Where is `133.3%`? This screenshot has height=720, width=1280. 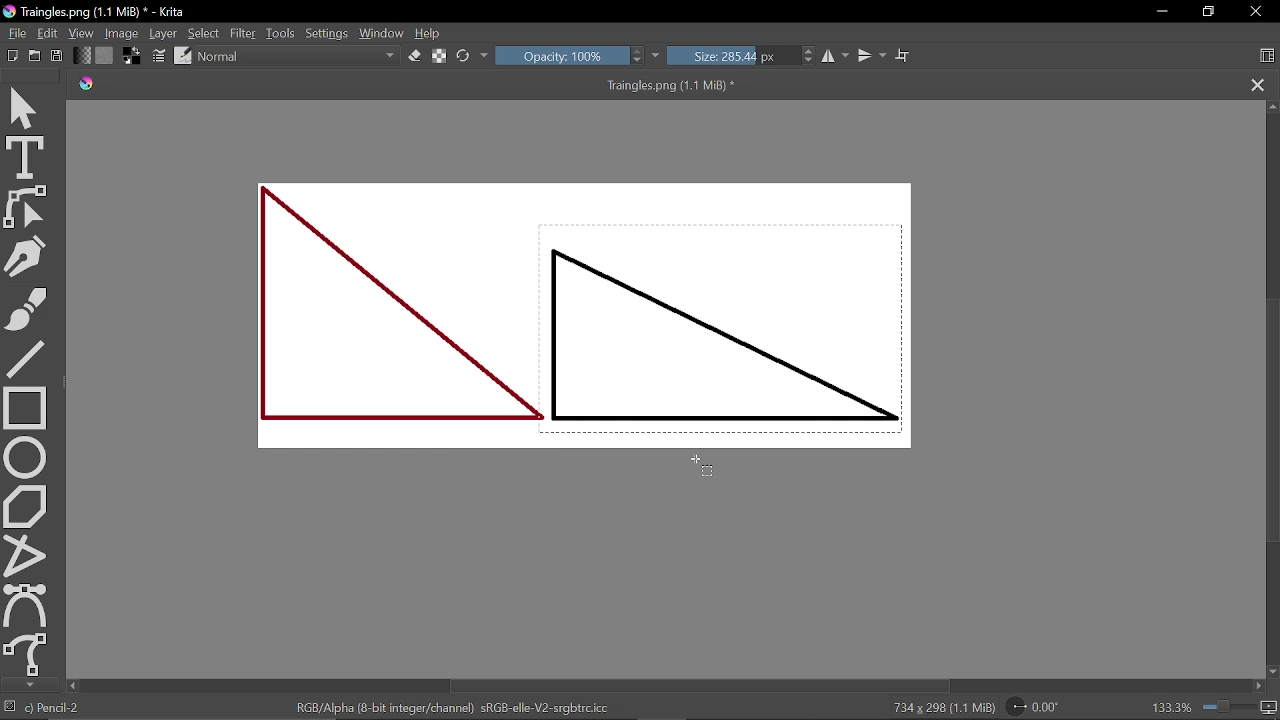 133.3% is located at coordinates (1215, 707).